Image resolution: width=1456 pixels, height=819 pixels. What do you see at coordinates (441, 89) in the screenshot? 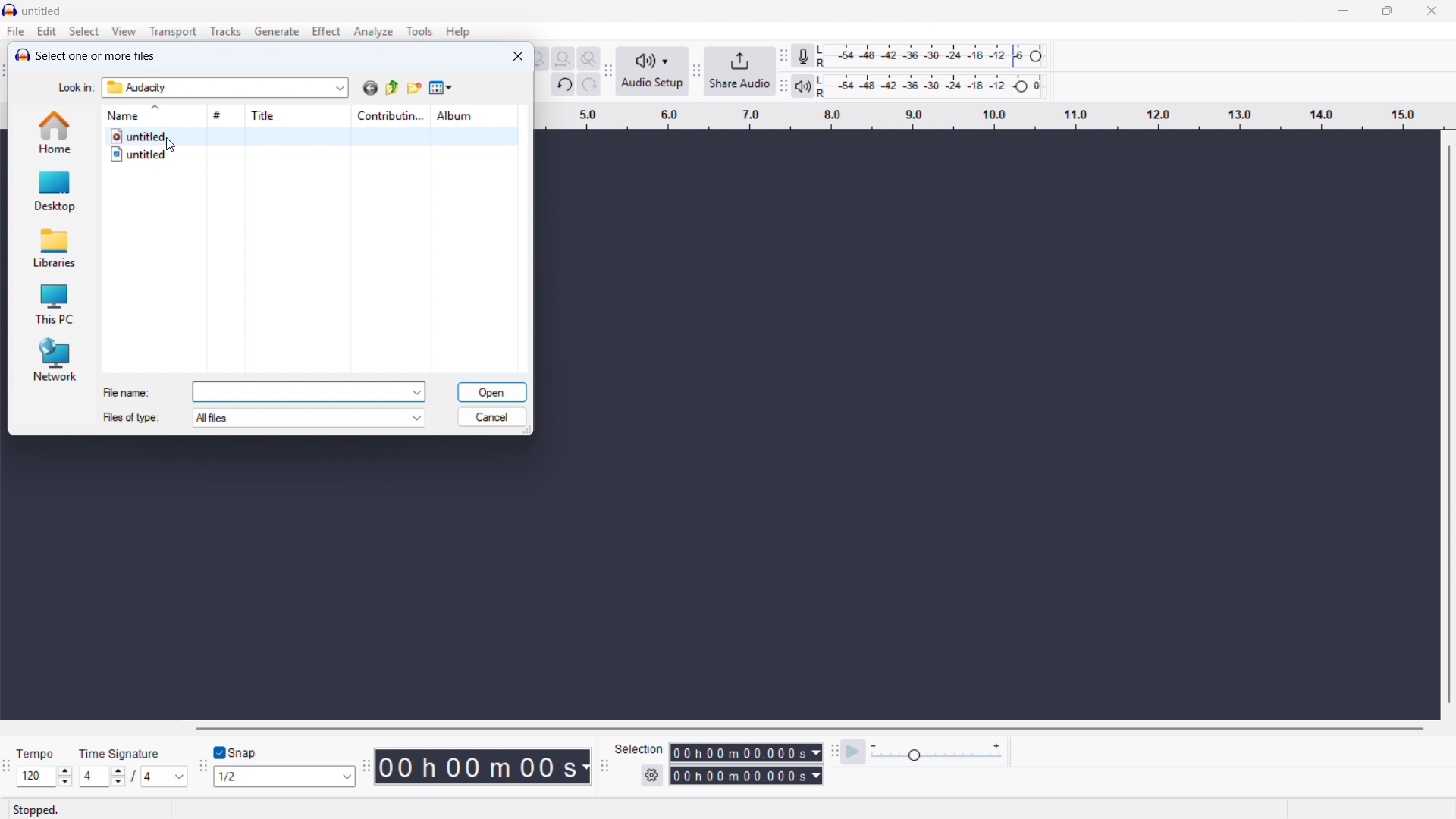
I see `Select view` at bounding box center [441, 89].